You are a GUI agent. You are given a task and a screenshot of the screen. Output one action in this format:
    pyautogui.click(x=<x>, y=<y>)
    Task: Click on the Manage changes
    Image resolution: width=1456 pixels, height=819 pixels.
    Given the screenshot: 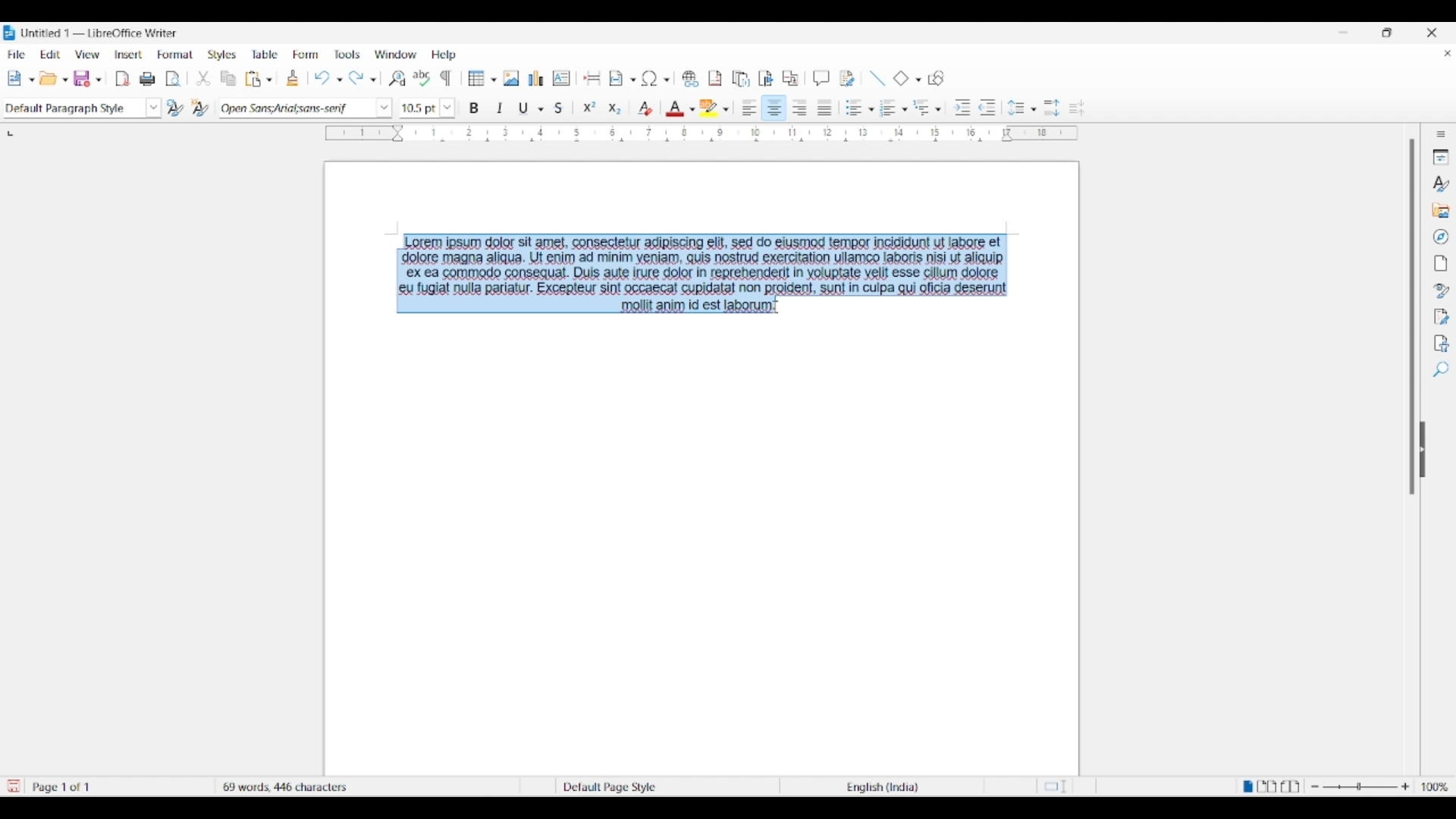 What is the action you would take?
    pyautogui.click(x=1442, y=317)
    